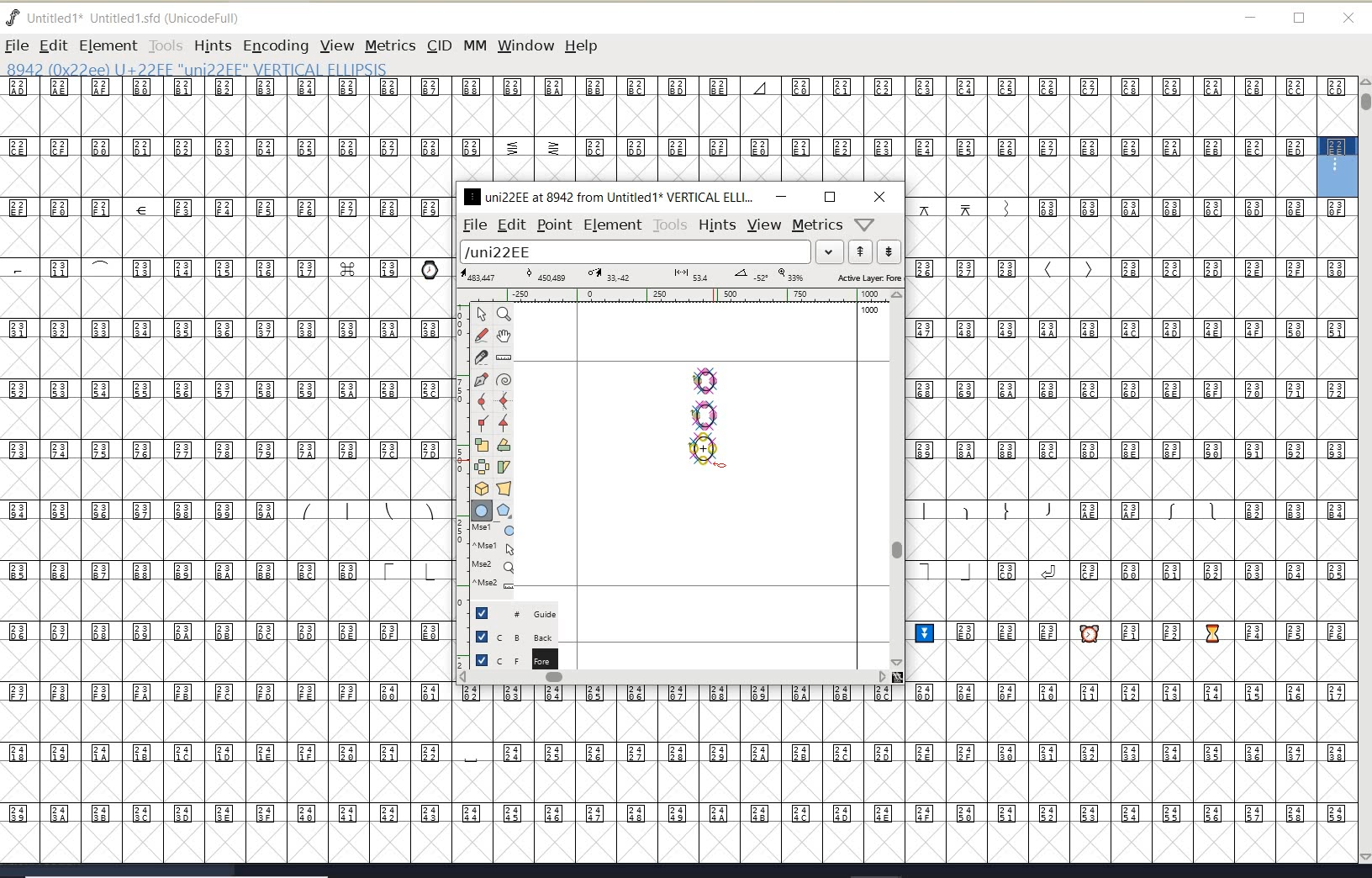 This screenshot has height=878, width=1372. Describe the element at coordinates (584, 47) in the screenshot. I see `help` at that location.